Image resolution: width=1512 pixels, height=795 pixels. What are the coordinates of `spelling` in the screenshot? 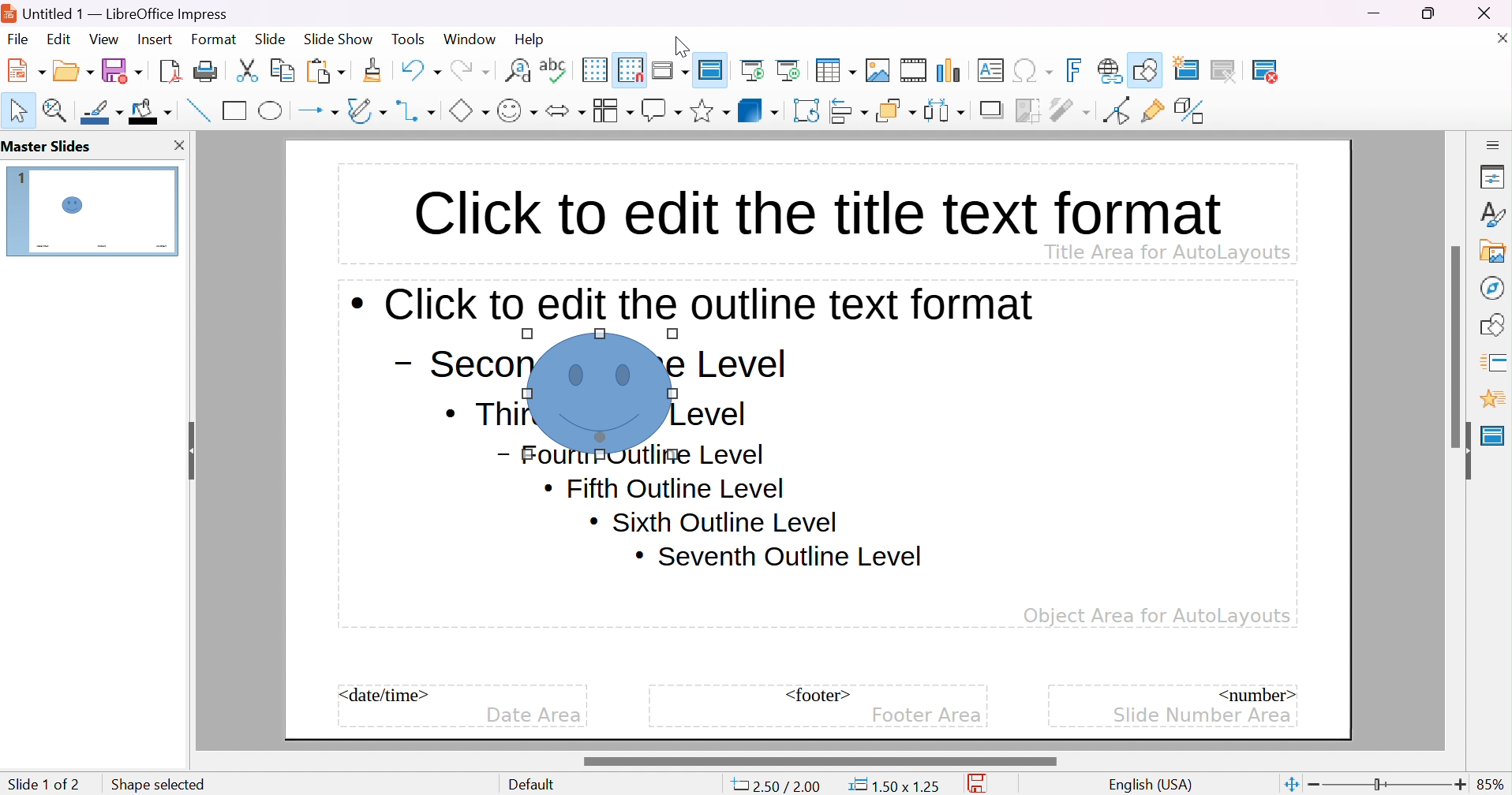 It's located at (553, 66).